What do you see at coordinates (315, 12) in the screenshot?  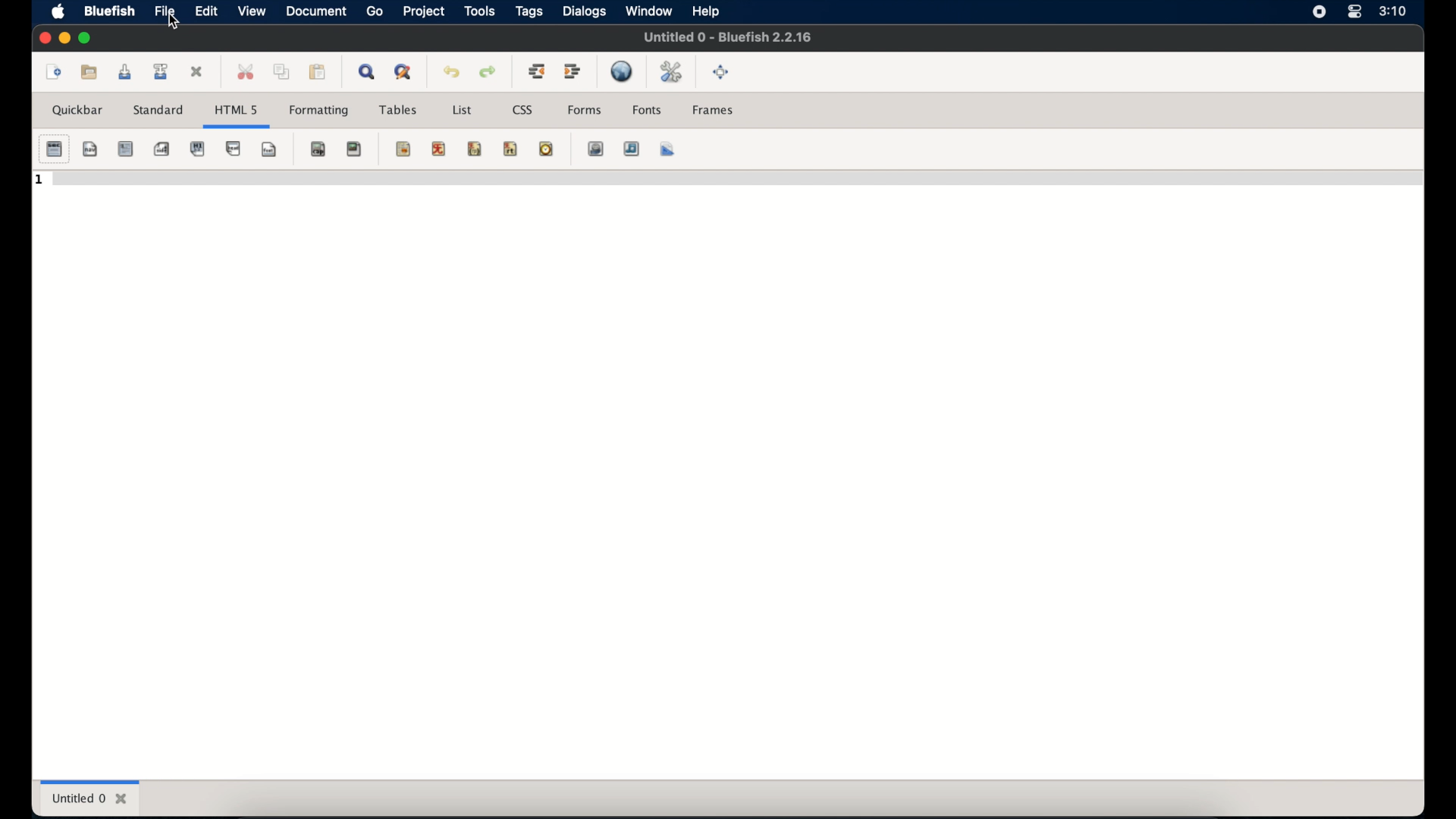 I see `document` at bounding box center [315, 12].